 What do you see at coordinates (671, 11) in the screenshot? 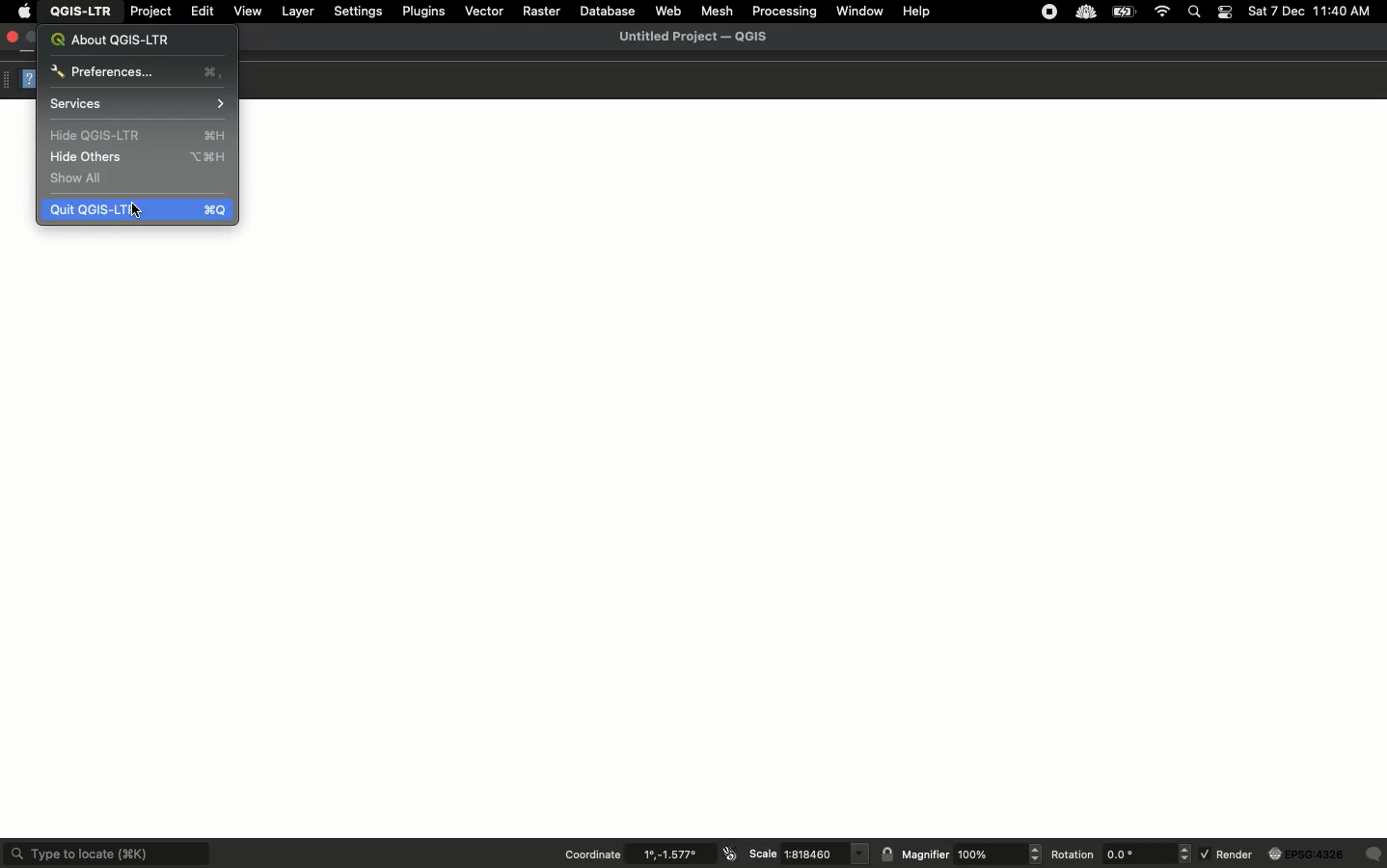
I see `Web` at bounding box center [671, 11].